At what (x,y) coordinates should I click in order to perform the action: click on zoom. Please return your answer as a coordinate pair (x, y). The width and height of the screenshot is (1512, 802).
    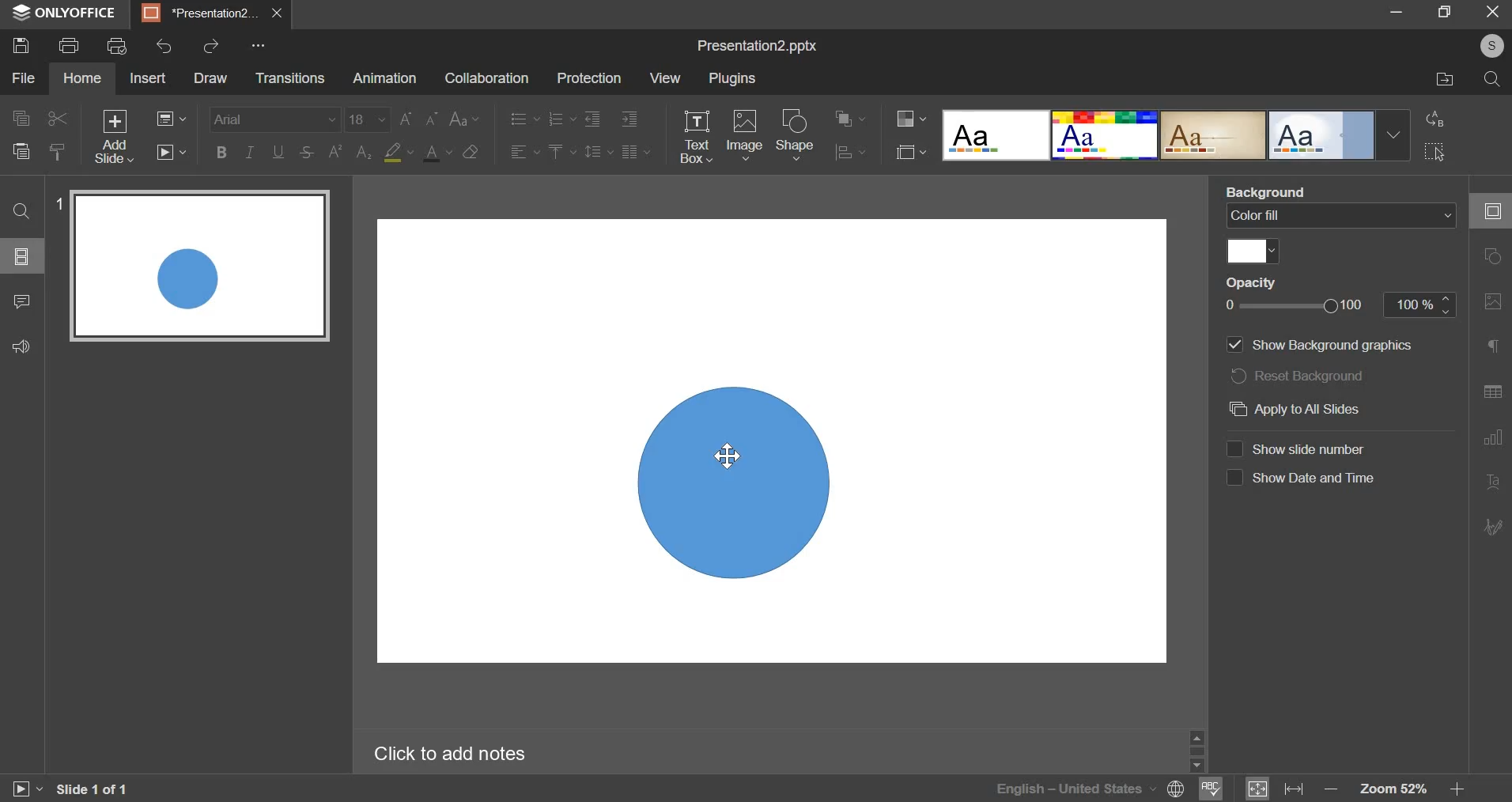
    Looking at the image, I should click on (1392, 789).